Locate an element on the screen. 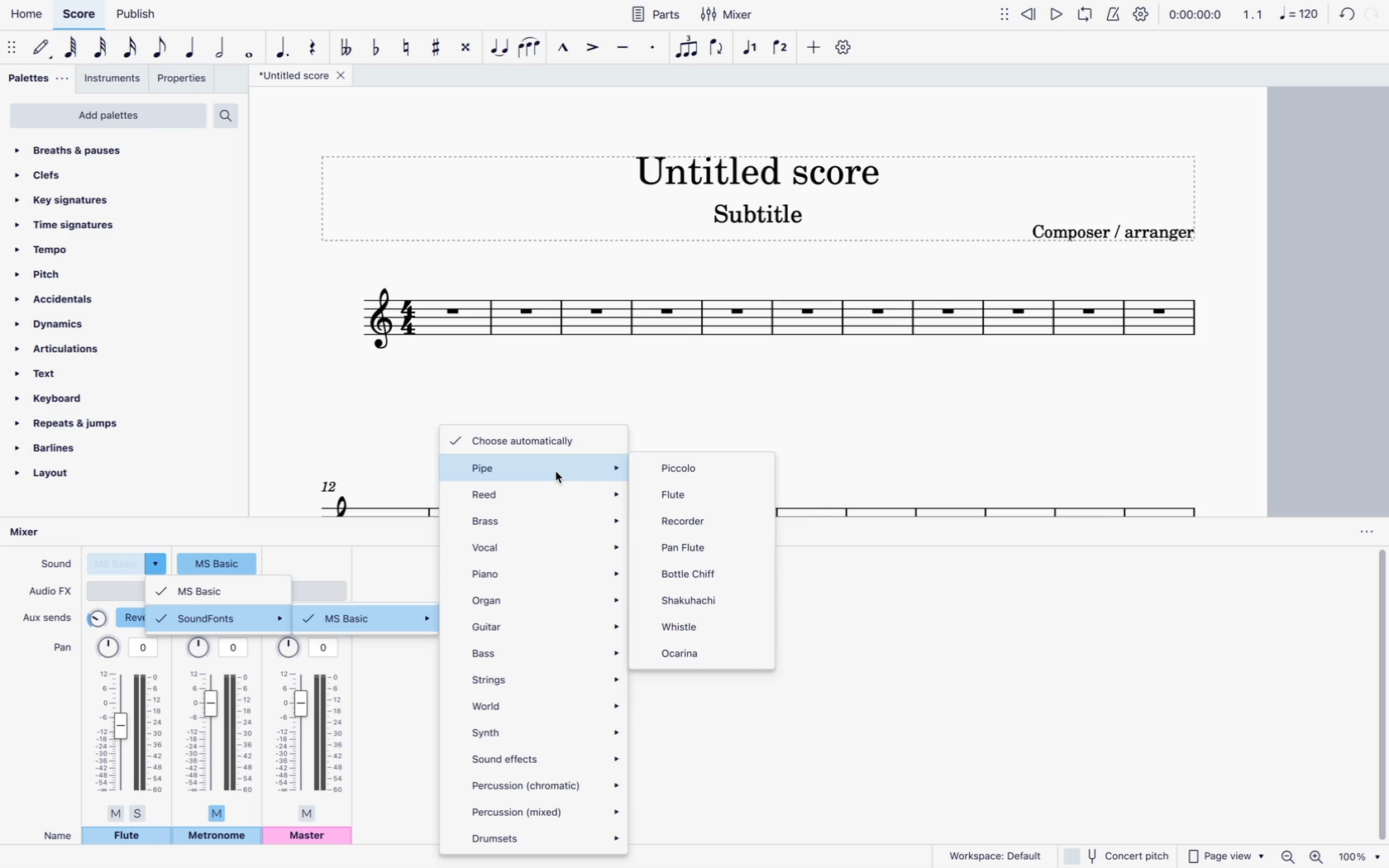 This screenshot has width=1389, height=868. scale is located at coordinates (1281, 13).